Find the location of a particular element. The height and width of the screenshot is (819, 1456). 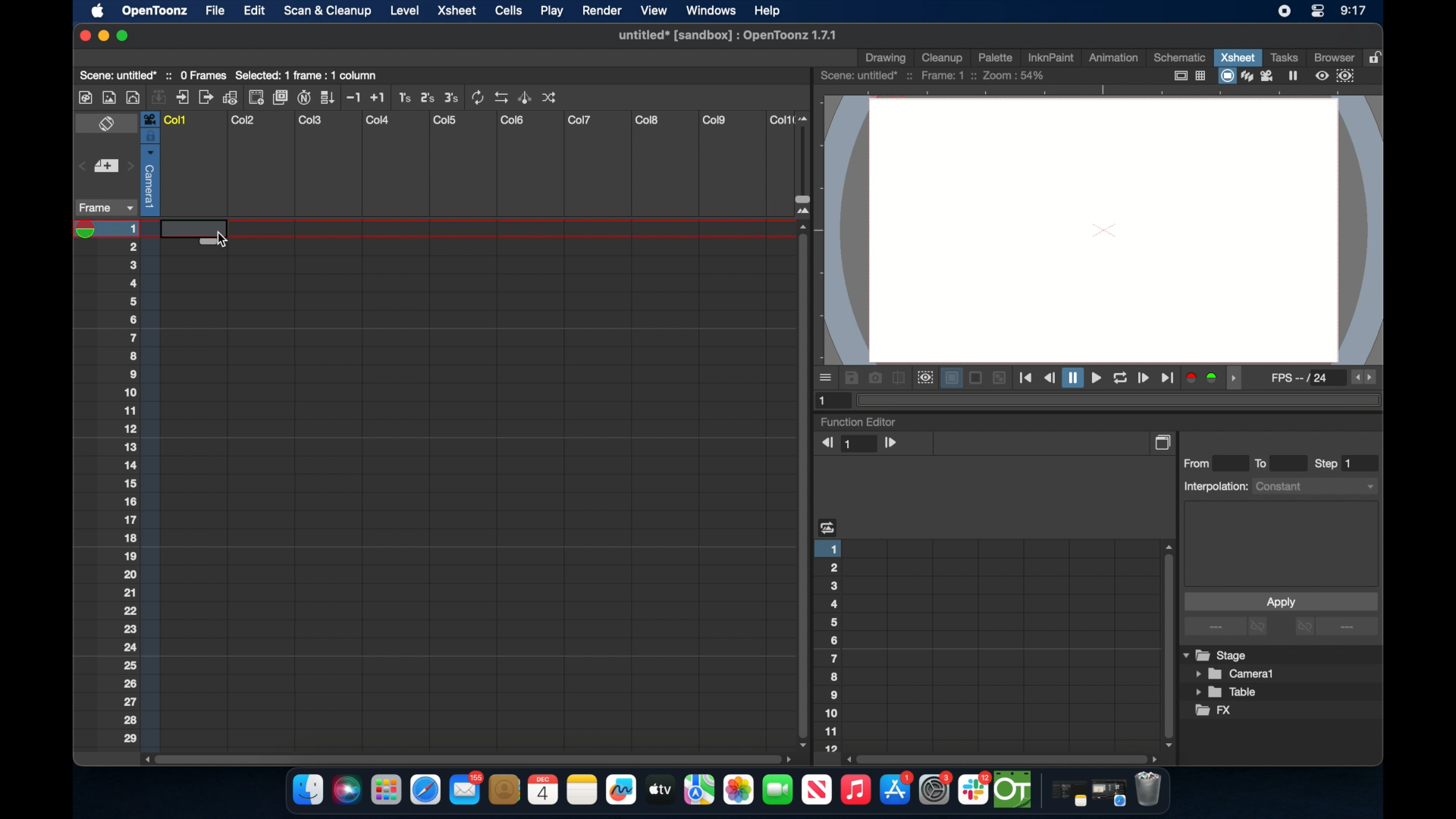

scroll box is located at coordinates (801, 485).